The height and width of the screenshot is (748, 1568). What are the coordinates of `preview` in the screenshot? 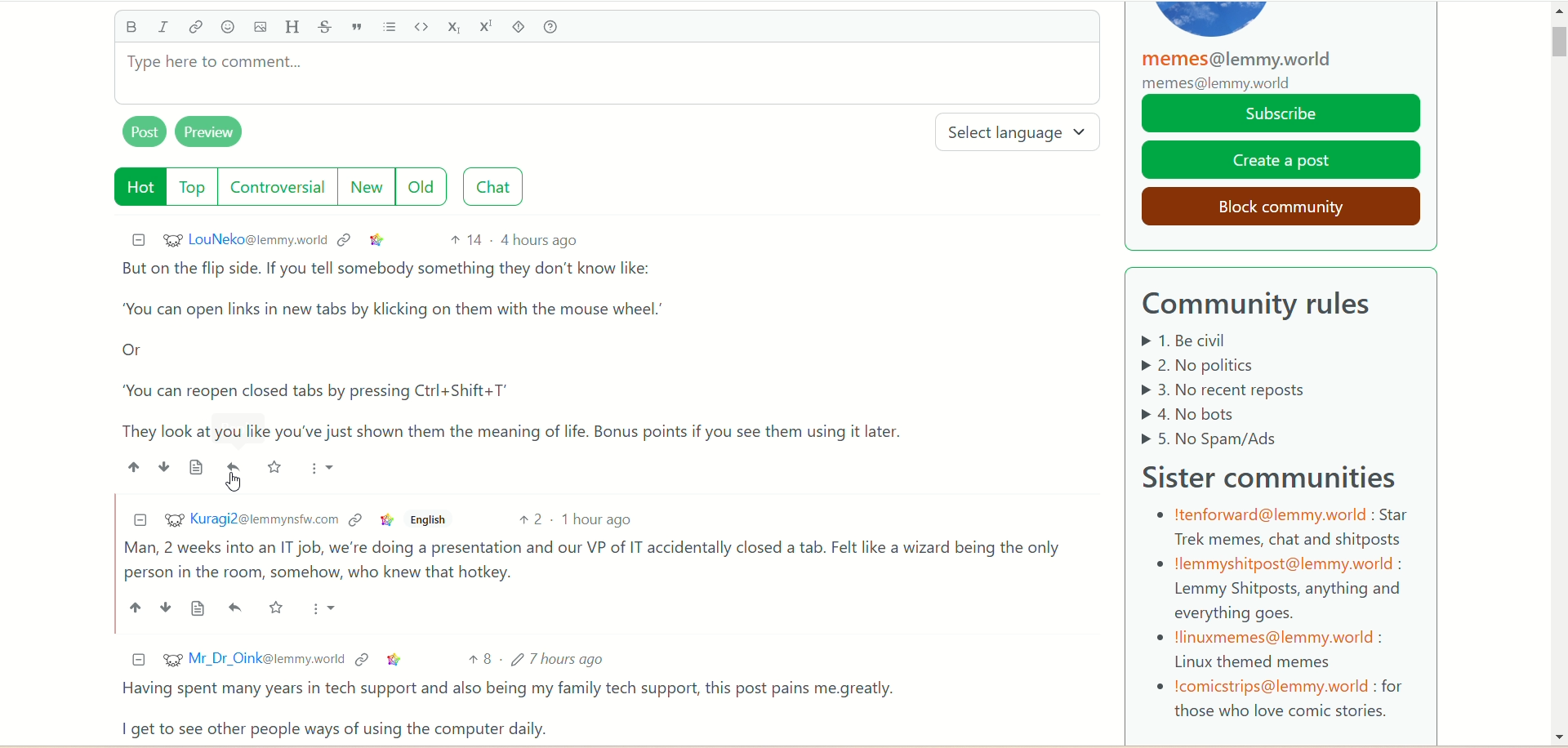 It's located at (217, 134).